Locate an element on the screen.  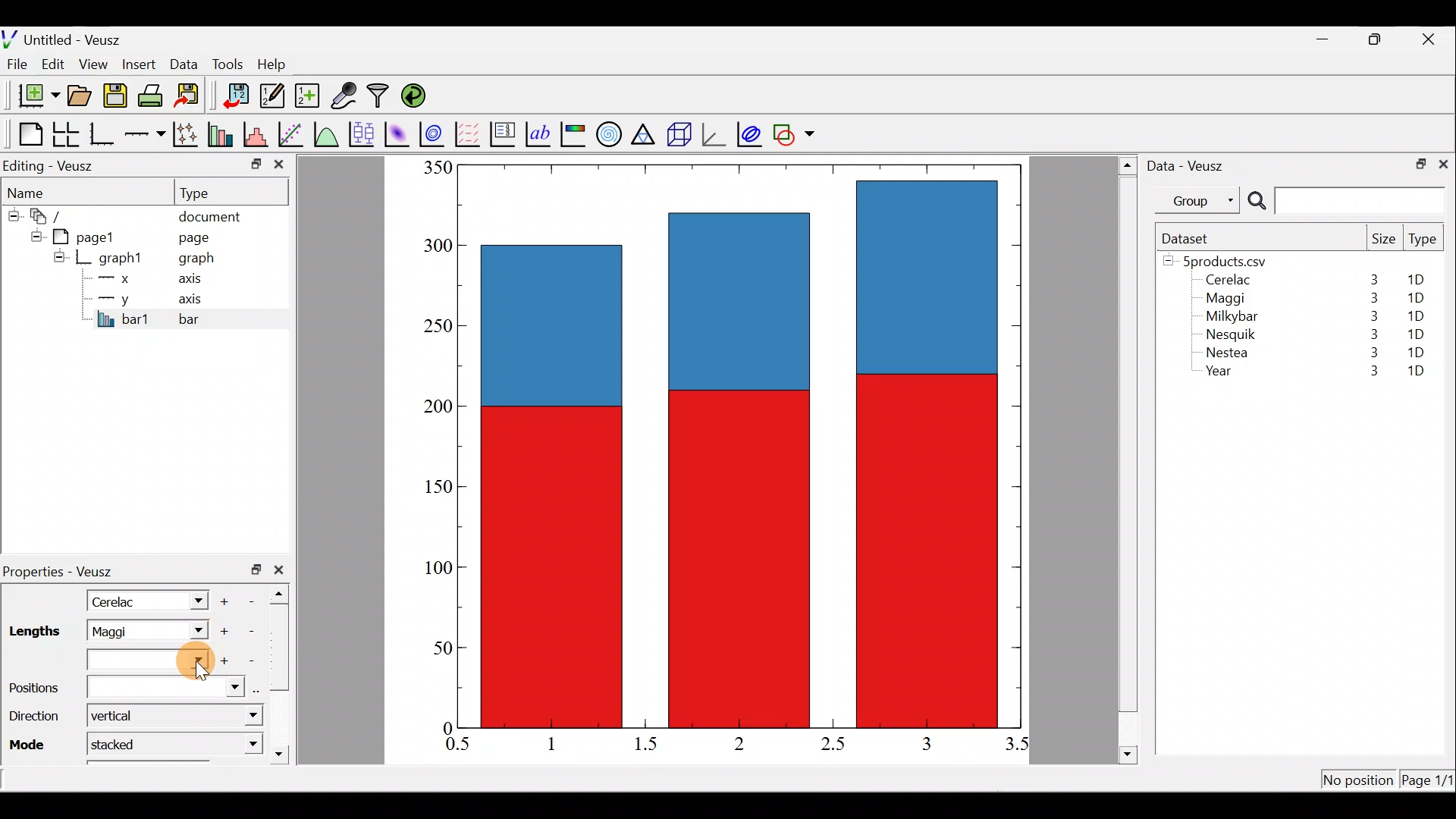
document widget is located at coordinates (54, 214).